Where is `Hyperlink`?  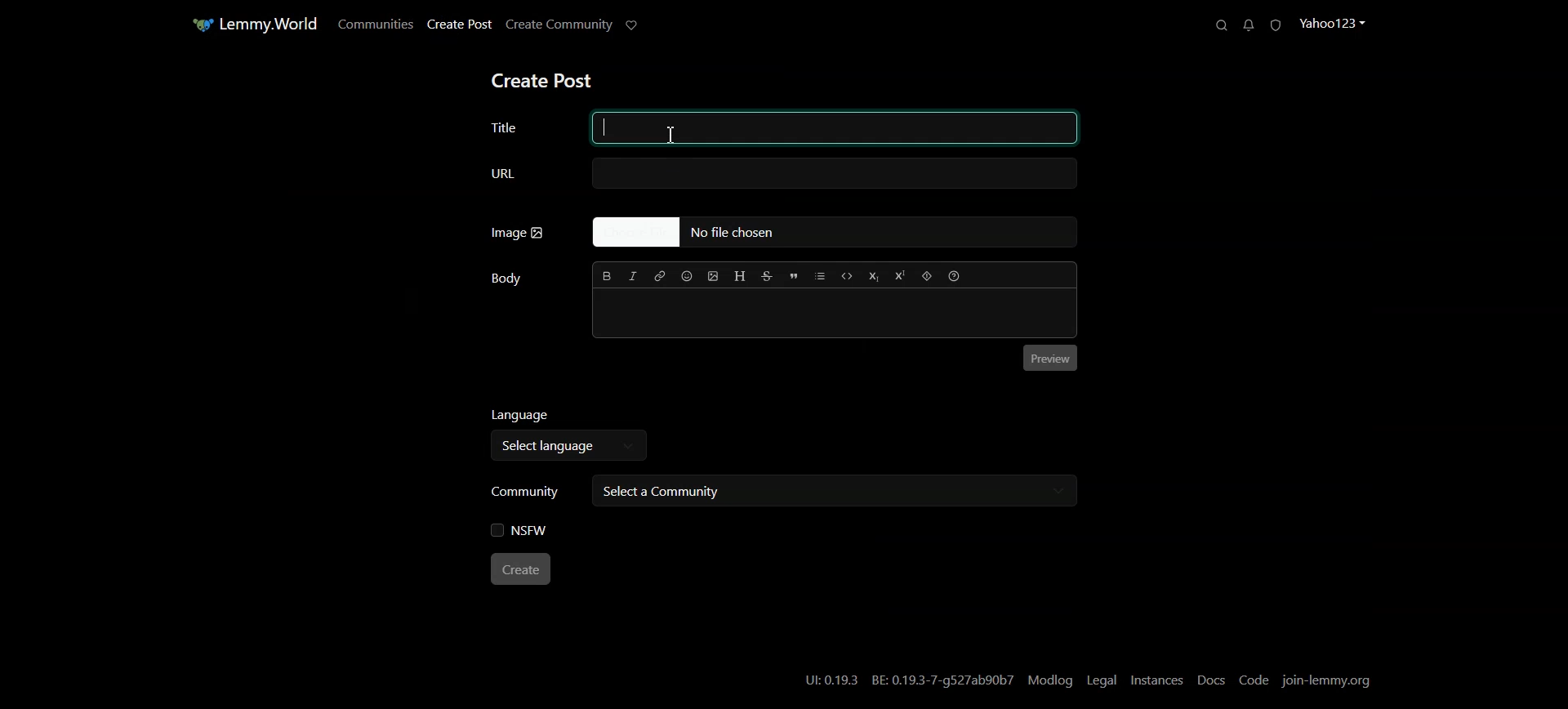 Hyperlink is located at coordinates (661, 276).